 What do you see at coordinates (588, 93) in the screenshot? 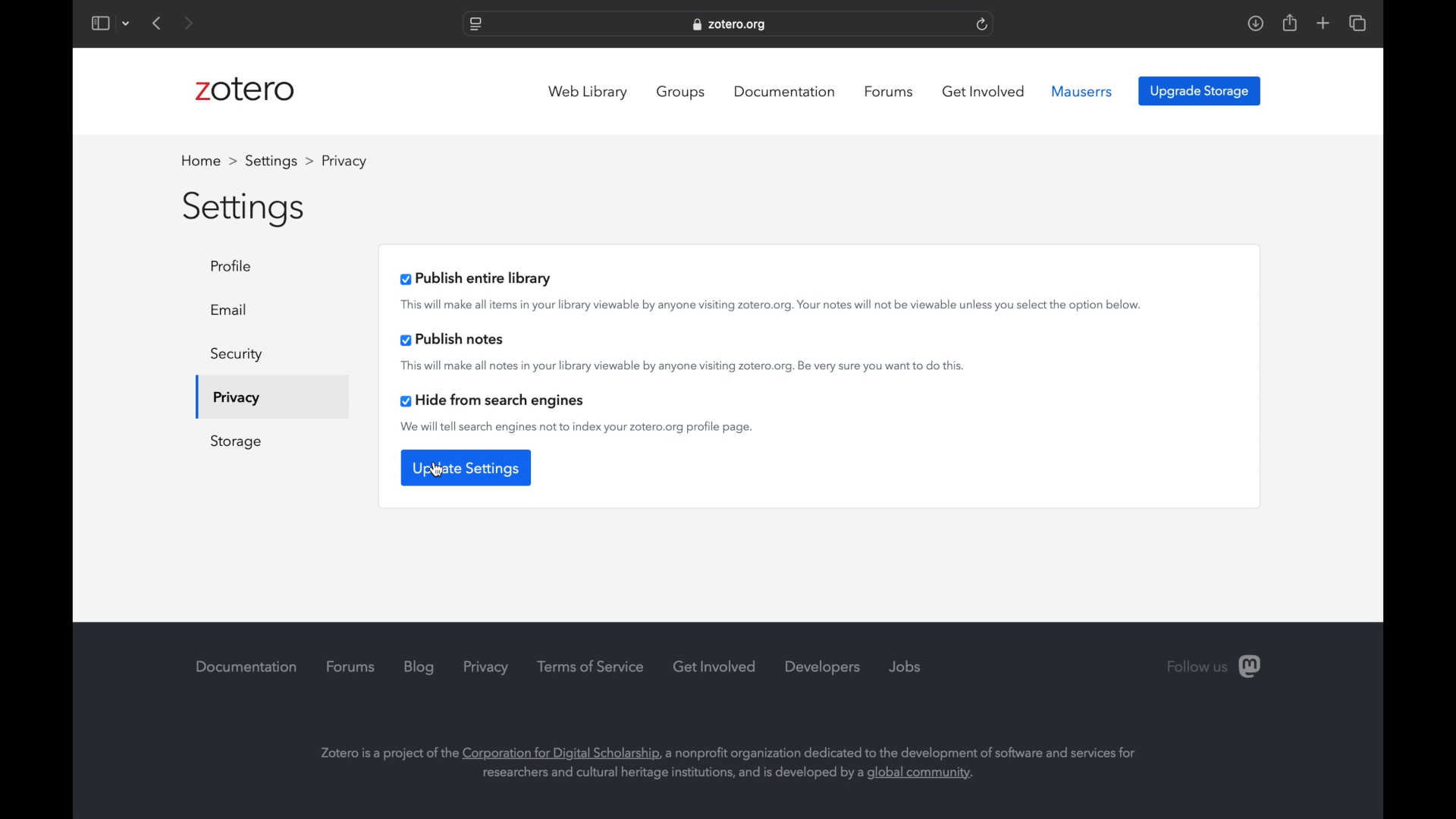
I see `web library` at bounding box center [588, 93].